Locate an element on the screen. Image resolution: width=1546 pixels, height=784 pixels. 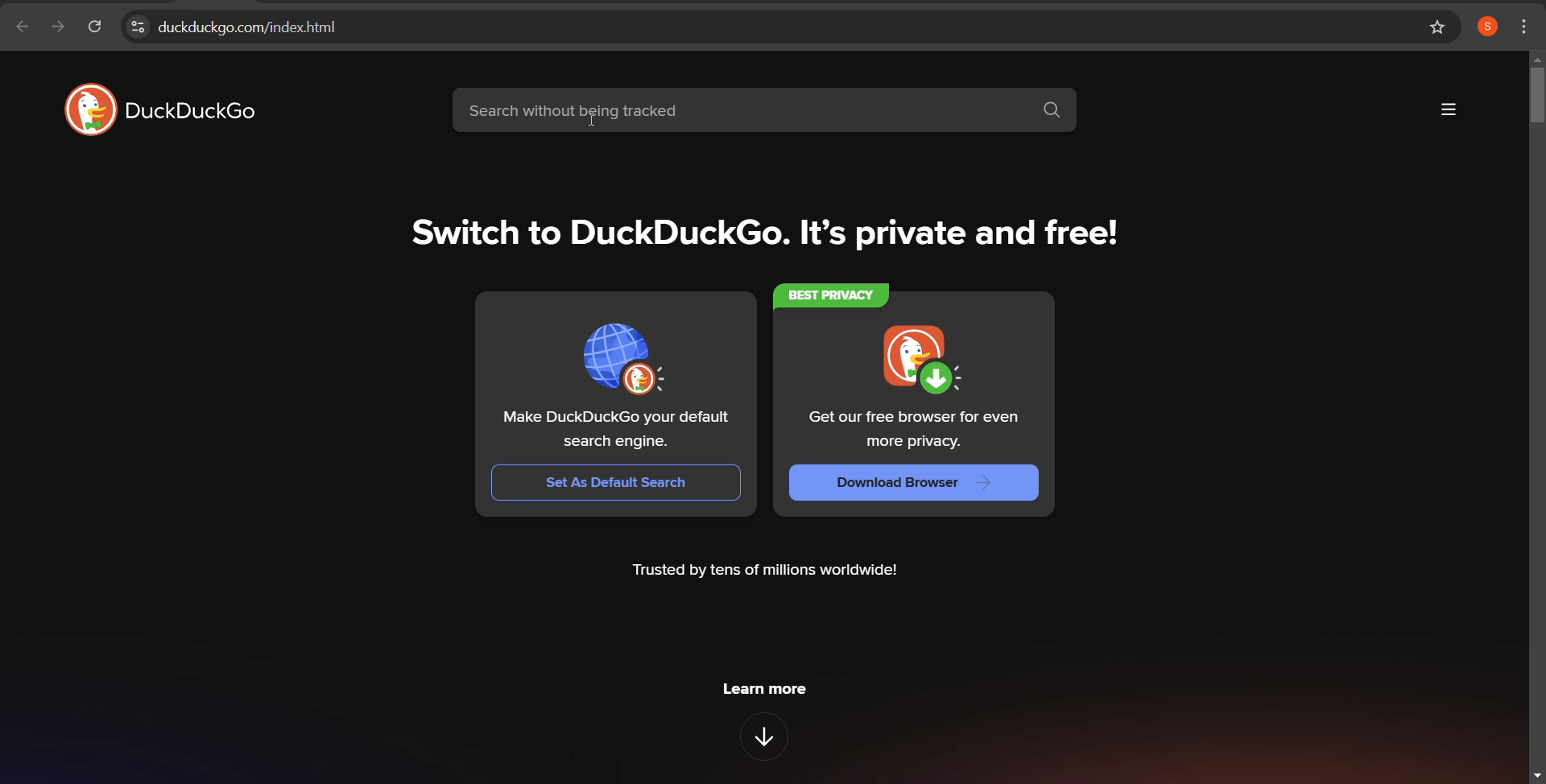
search bar is located at coordinates (766, 109).